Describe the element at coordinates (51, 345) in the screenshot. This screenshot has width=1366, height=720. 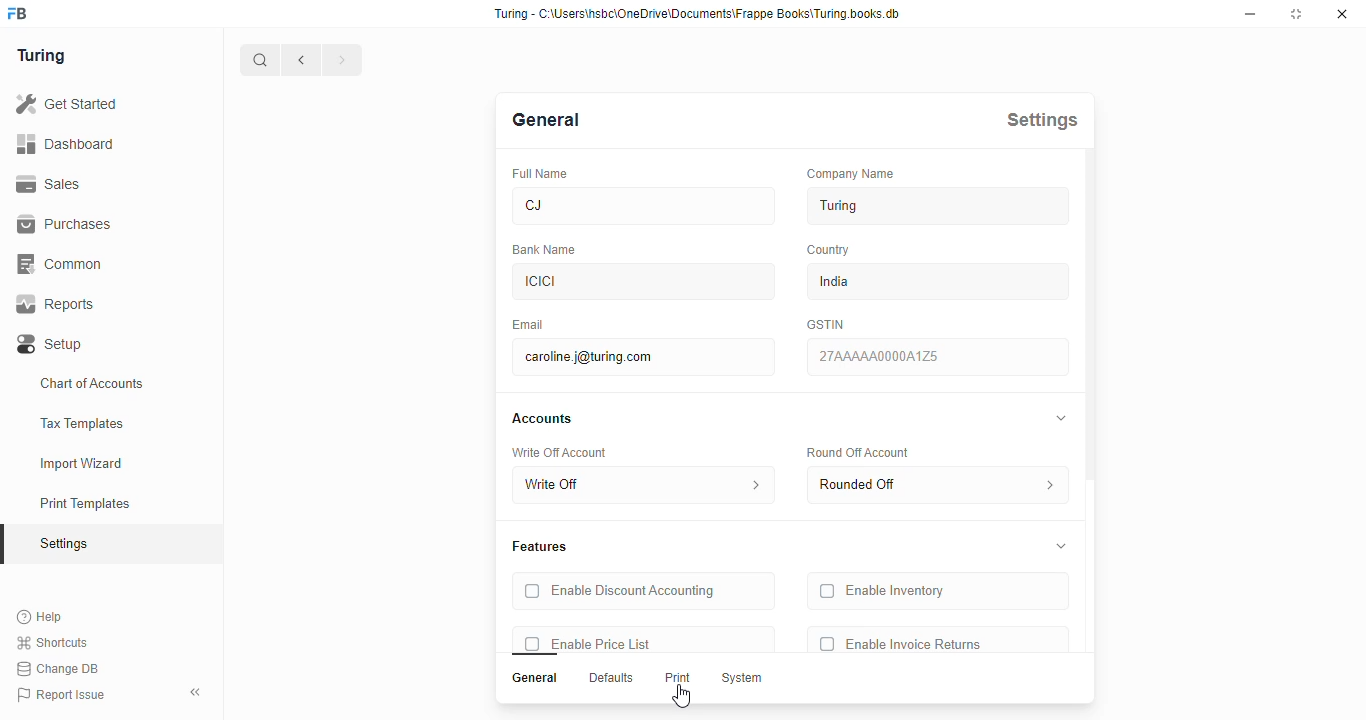
I see `setup` at that location.